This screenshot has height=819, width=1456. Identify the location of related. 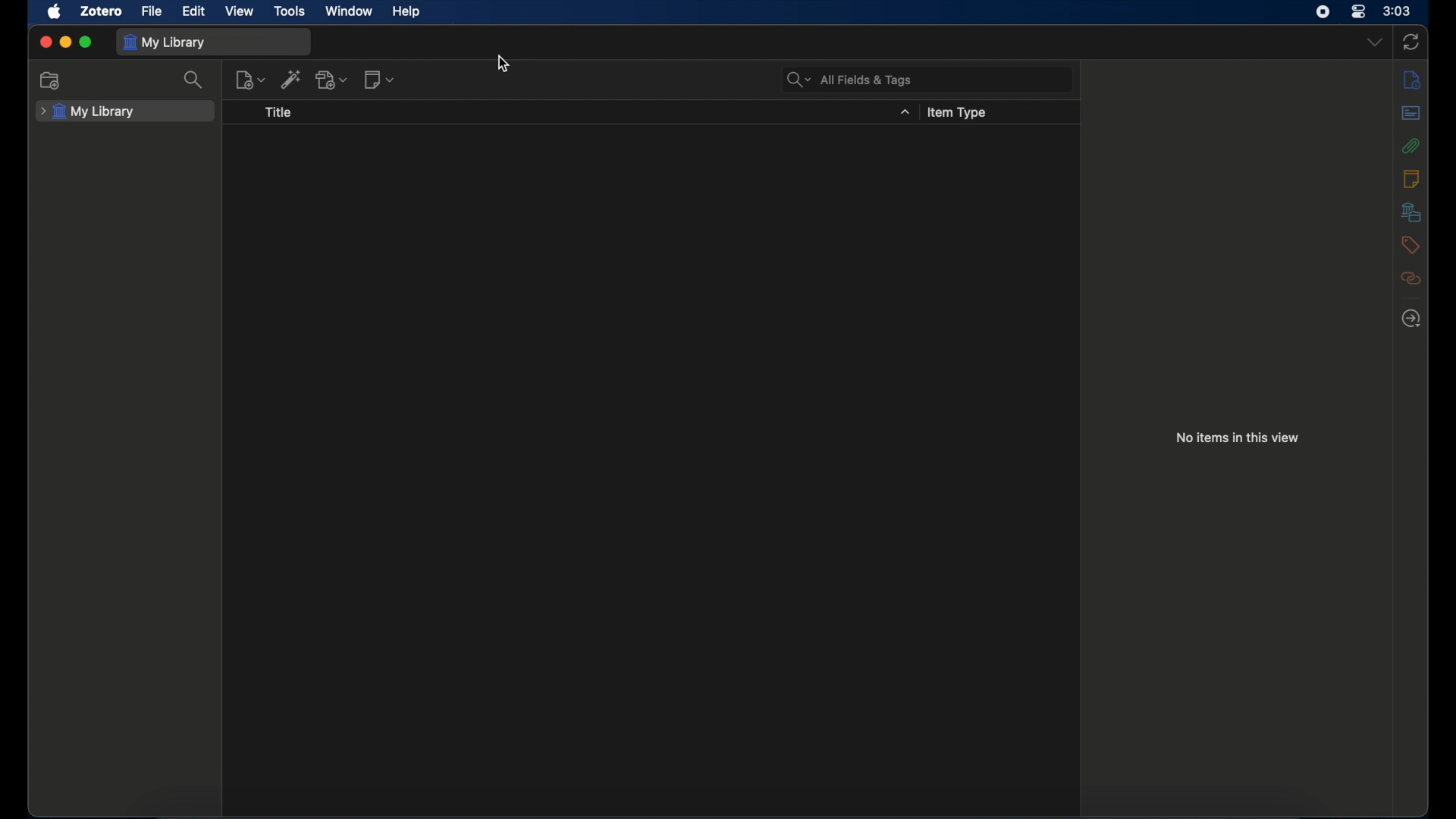
(1411, 278).